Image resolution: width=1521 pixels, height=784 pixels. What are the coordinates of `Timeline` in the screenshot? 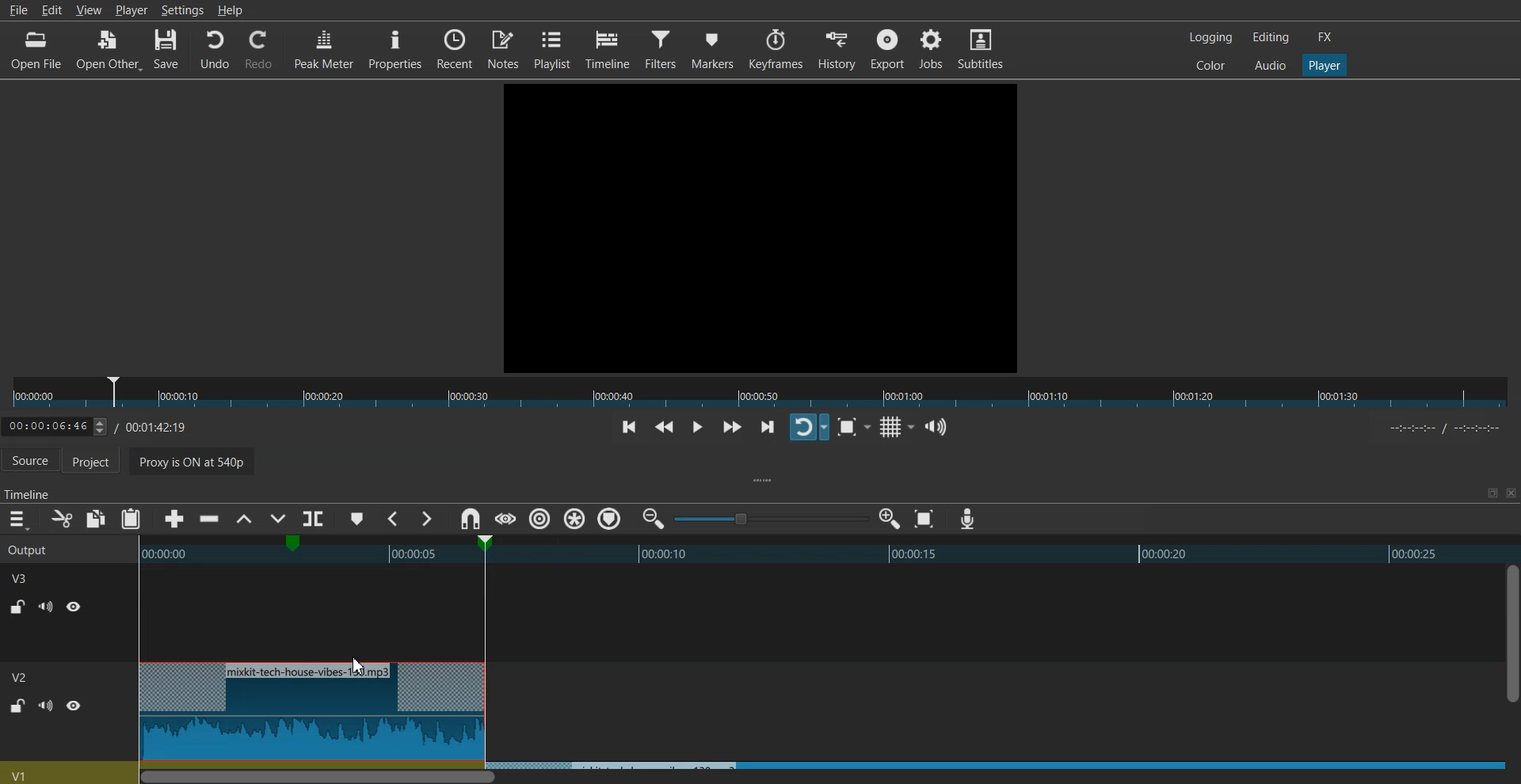 It's located at (609, 49).